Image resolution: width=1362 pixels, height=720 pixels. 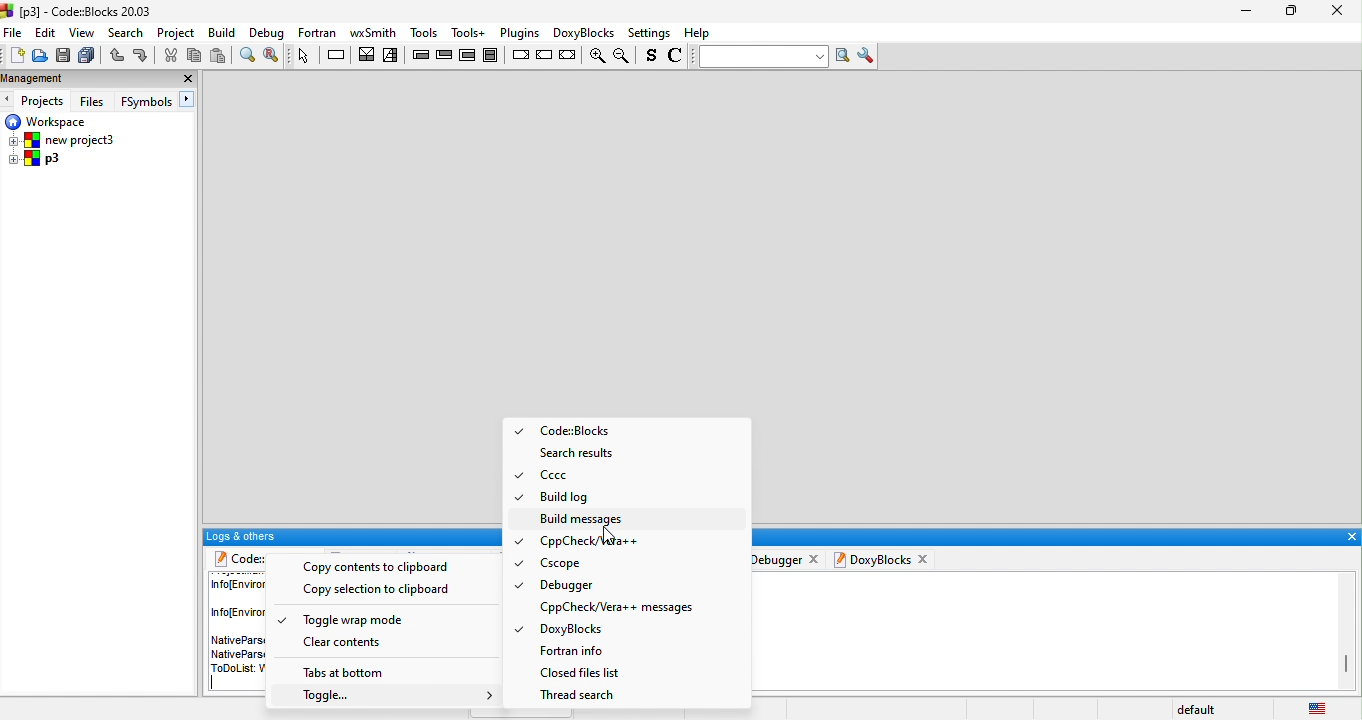 What do you see at coordinates (652, 57) in the screenshot?
I see `toggle source` at bounding box center [652, 57].